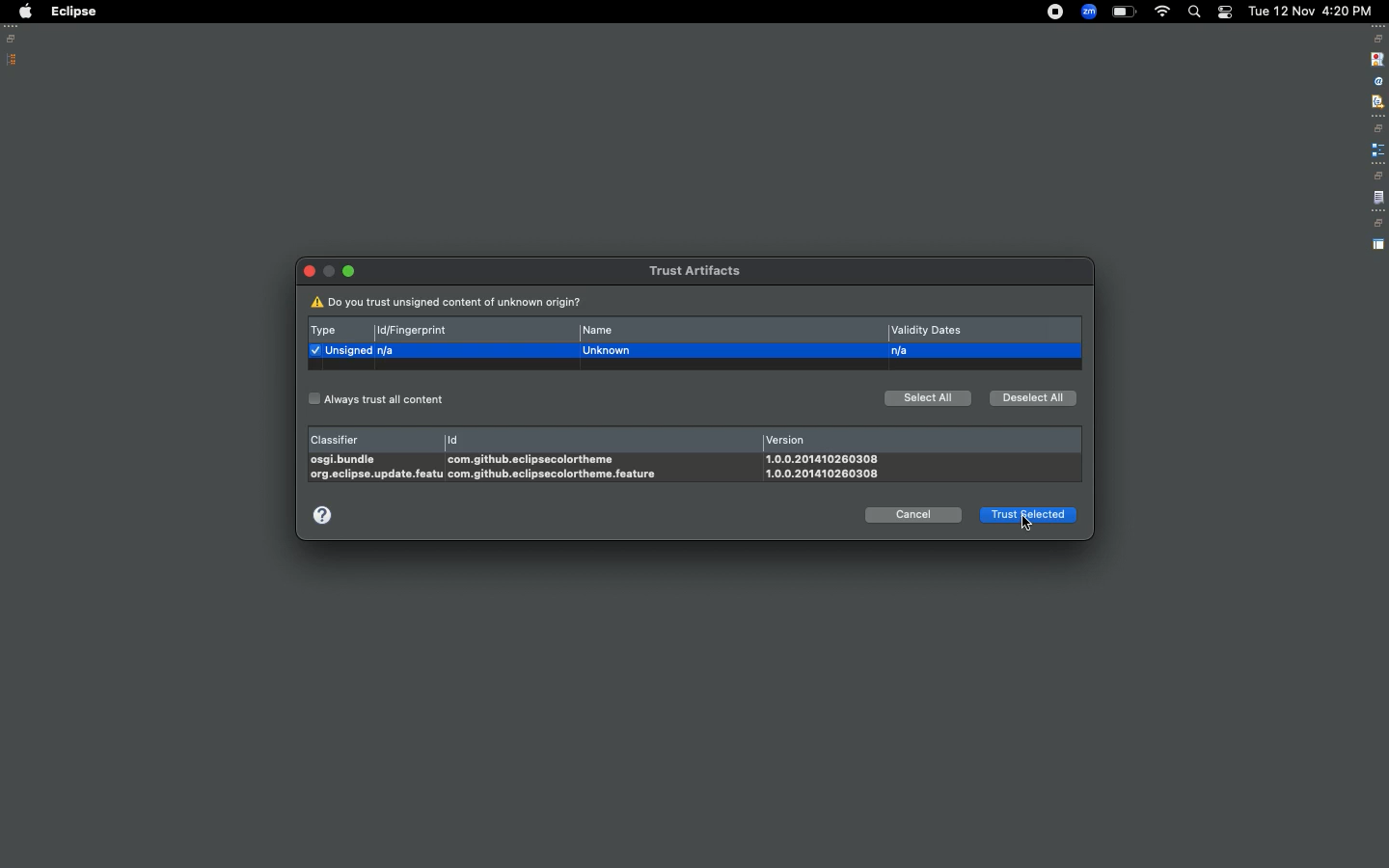 The width and height of the screenshot is (1389, 868). What do you see at coordinates (1376, 82) in the screenshot?
I see `attribute` at bounding box center [1376, 82].